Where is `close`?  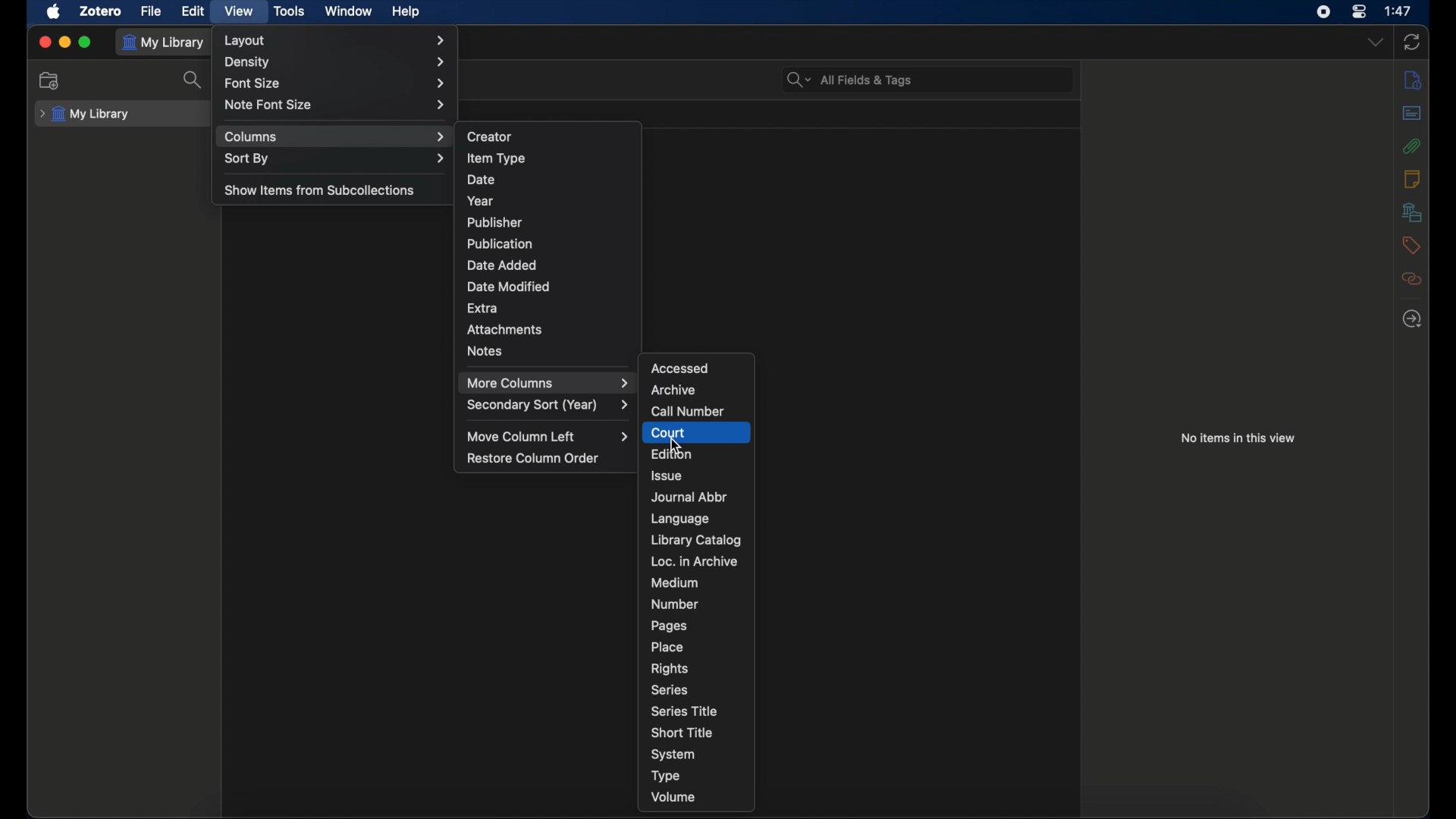
close is located at coordinates (44, 42).